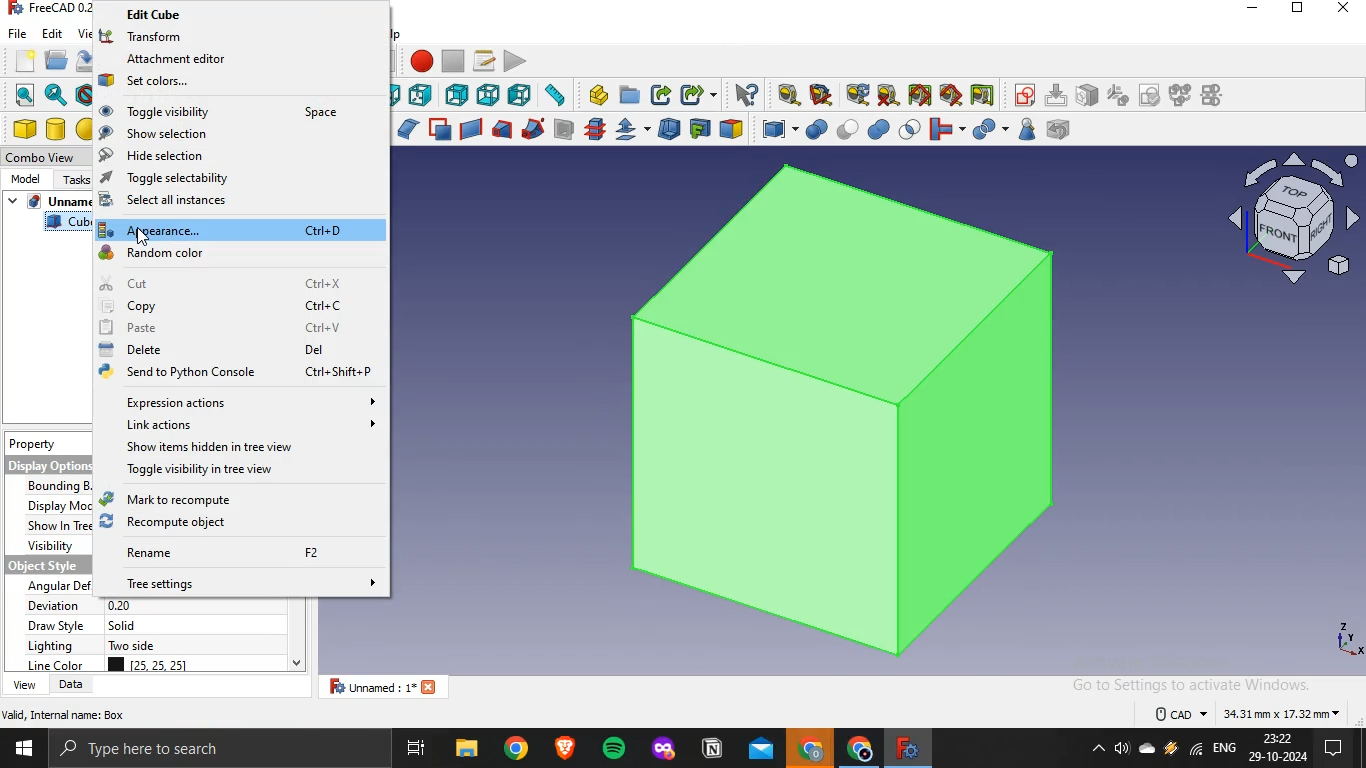 The image size is (1366, 768). I want to click on text, so click(66, 714).